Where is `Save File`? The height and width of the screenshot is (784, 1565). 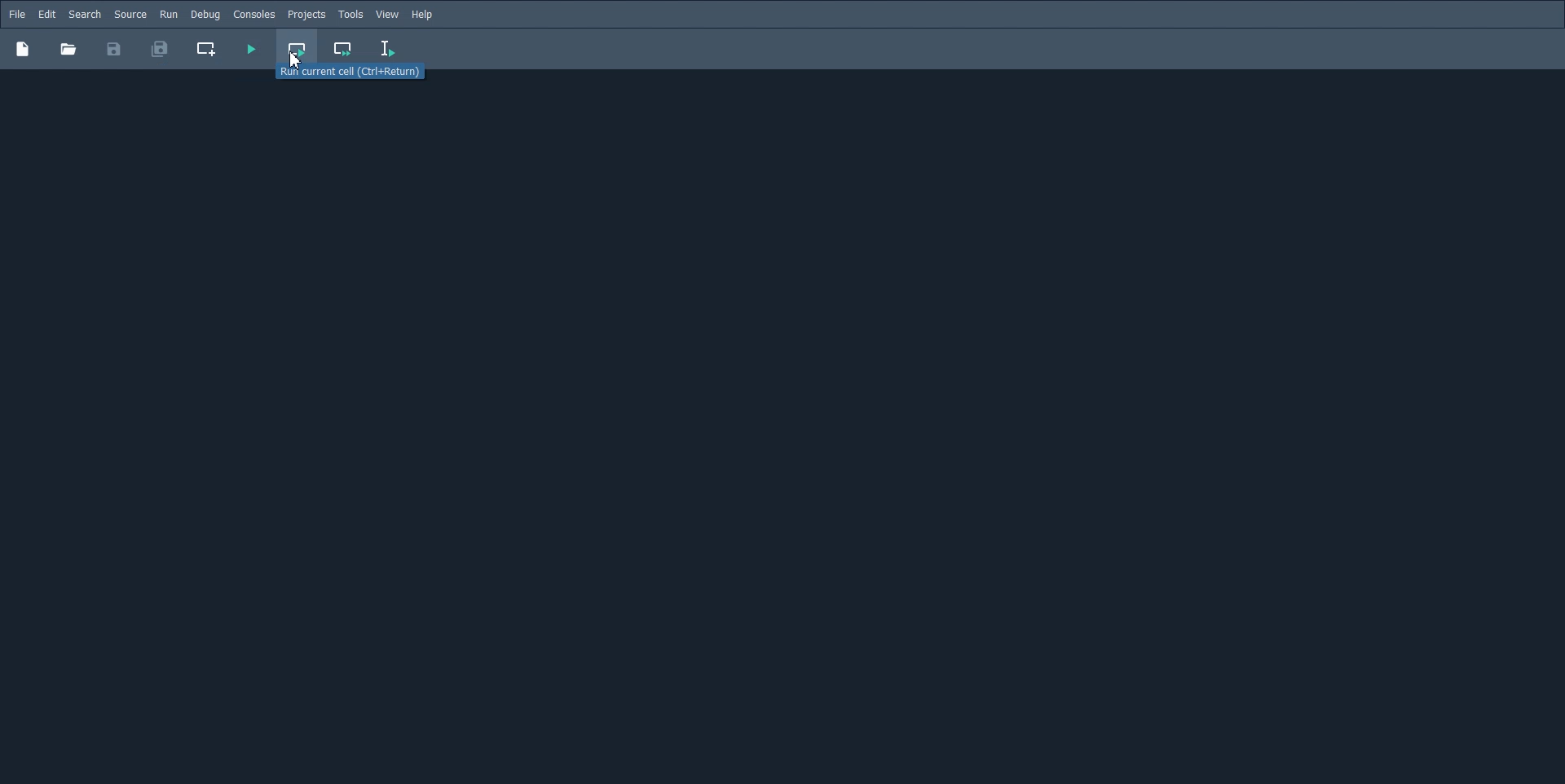
Save File is located at coordinates (114, 49).